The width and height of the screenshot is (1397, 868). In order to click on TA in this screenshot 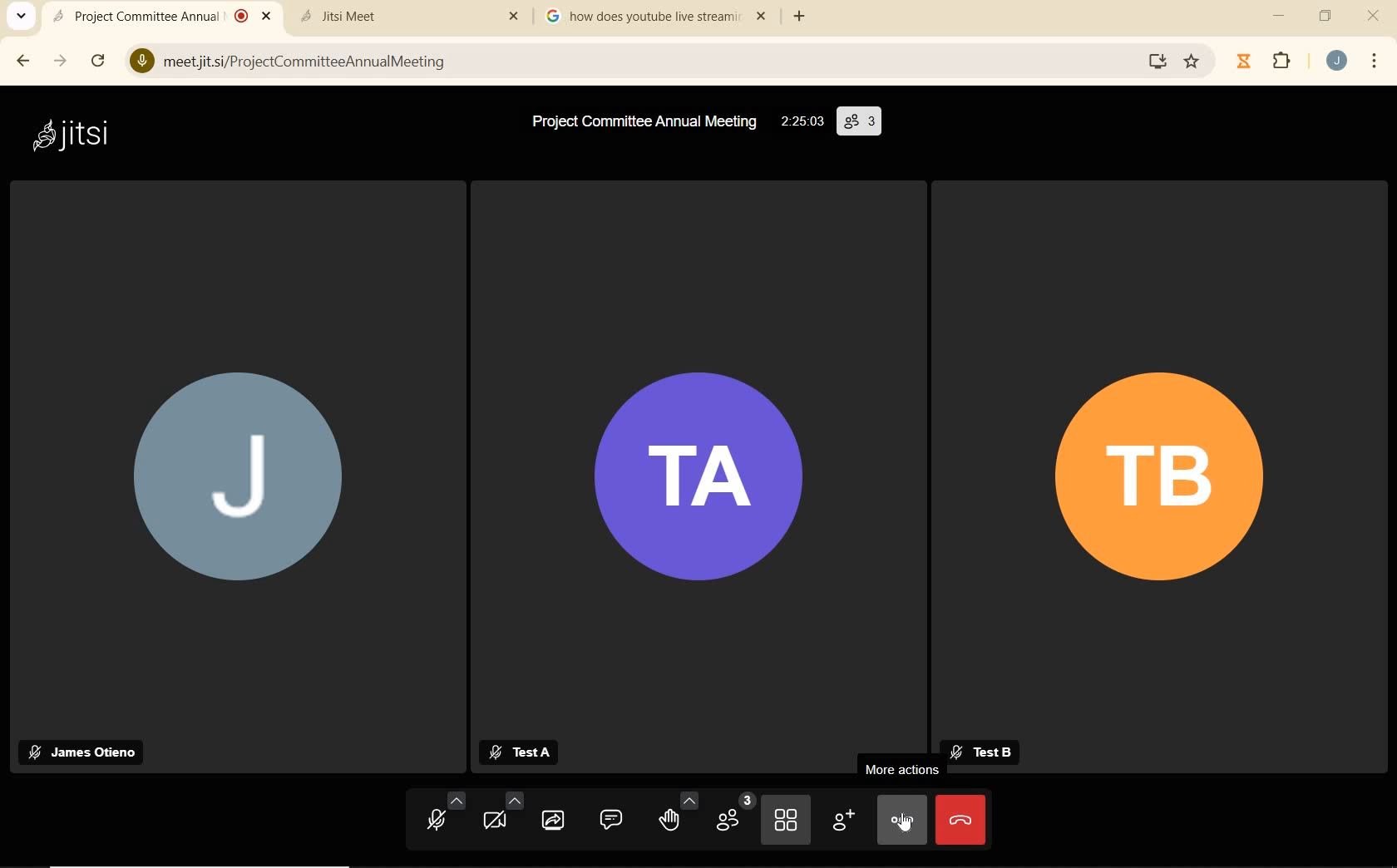, I will do `click(700, 483)`.